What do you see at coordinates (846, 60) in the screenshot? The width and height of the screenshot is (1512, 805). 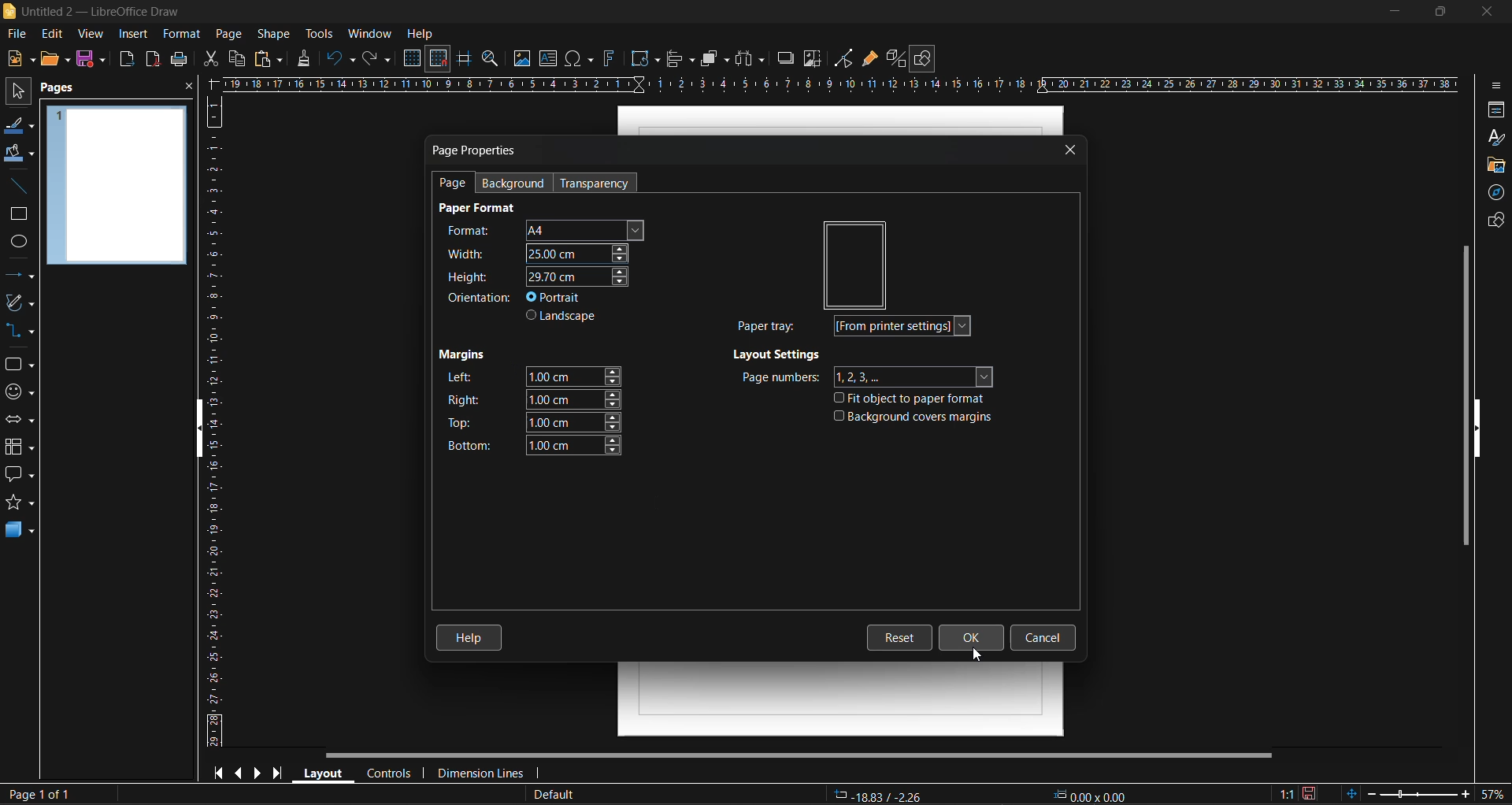 I see `toggle point` at bounding box center [846, 60].